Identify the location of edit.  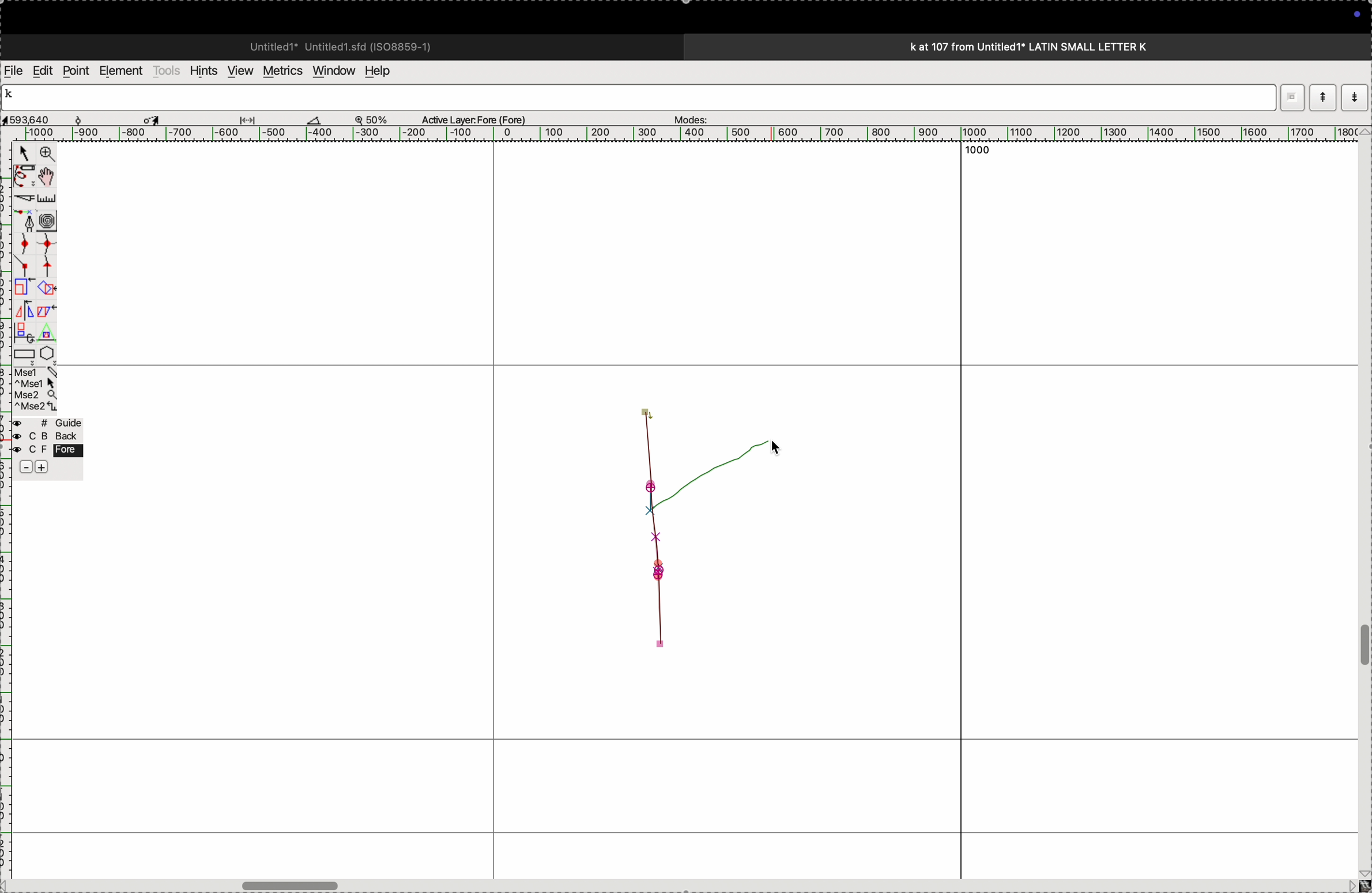
(42, 70).